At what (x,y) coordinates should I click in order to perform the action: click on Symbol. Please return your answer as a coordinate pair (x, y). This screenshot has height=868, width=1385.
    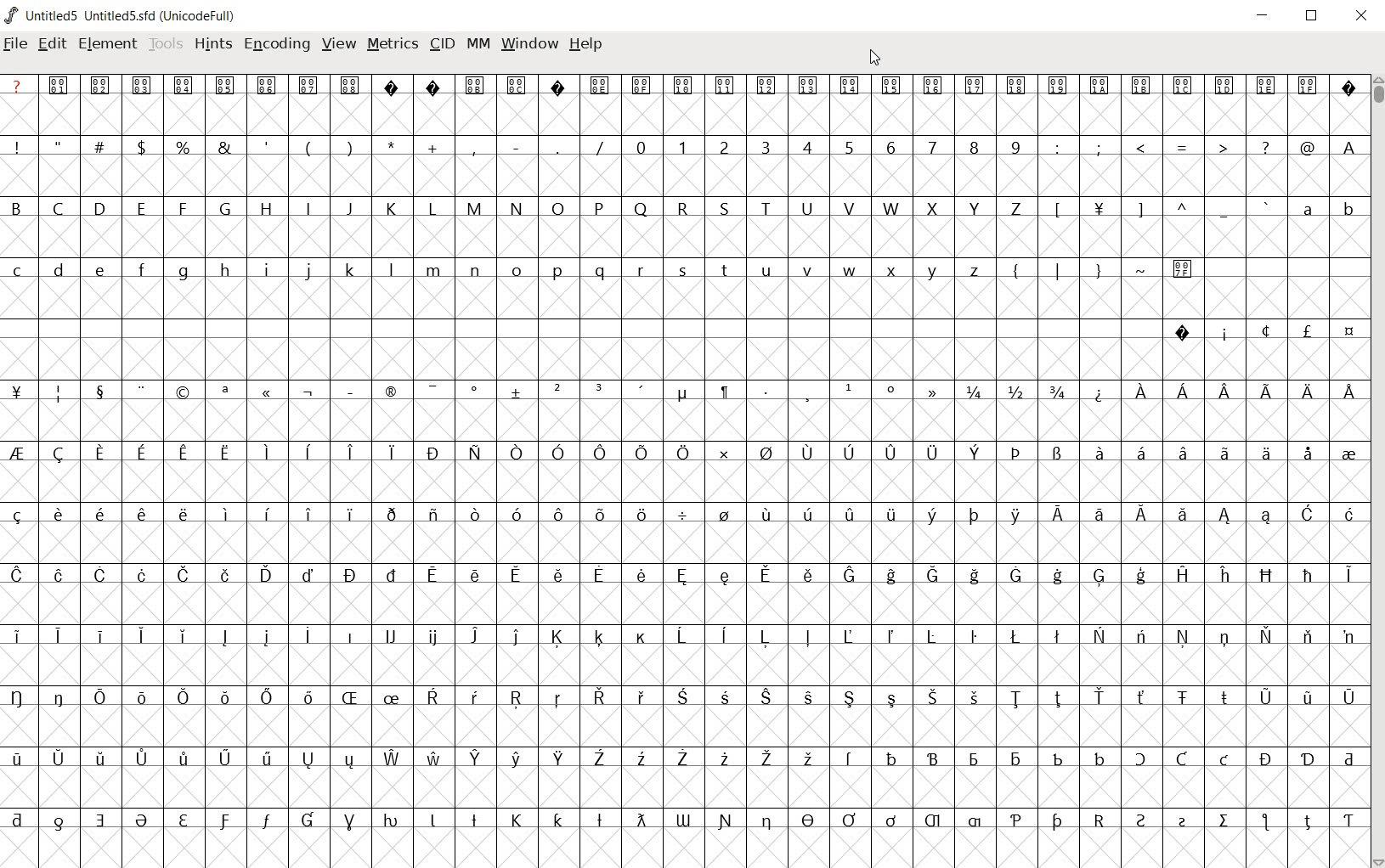
    Looking at the image, I should click on (723, 699).